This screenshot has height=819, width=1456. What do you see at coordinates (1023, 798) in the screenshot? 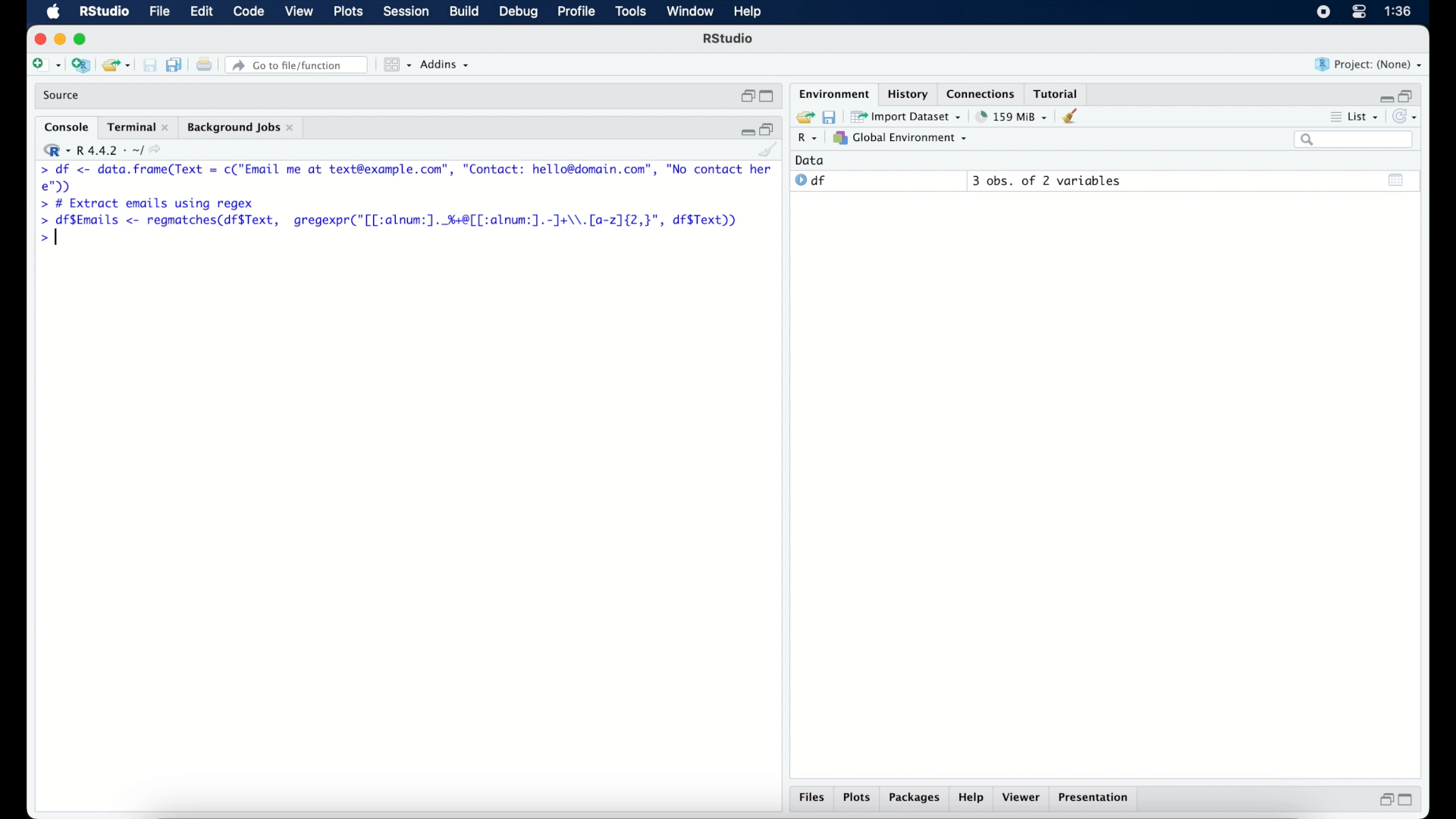
I see `viewer` at bounding box center [1023, 798].